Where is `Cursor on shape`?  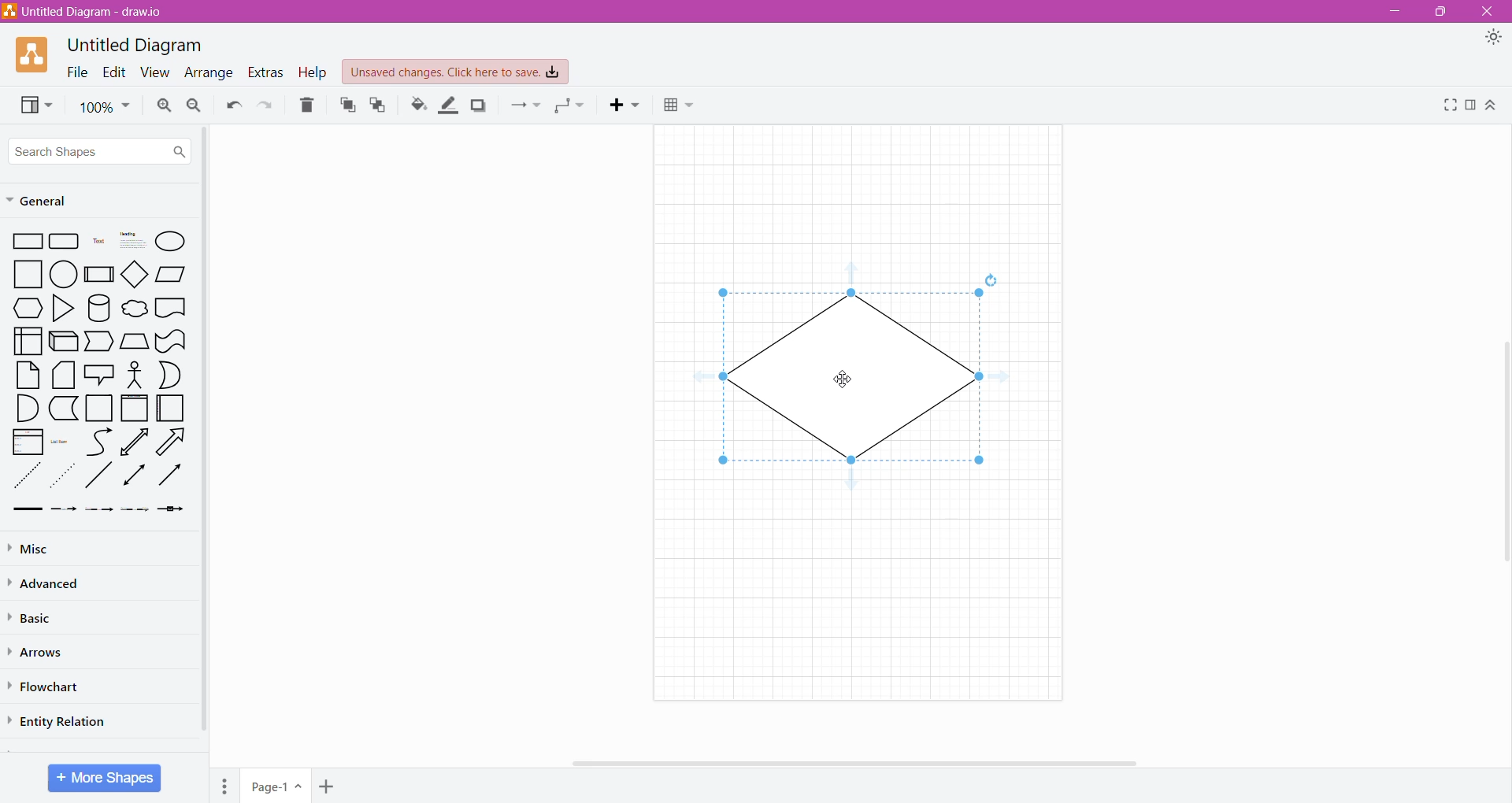 Cursor on shape is located at coordinates (845, 377).